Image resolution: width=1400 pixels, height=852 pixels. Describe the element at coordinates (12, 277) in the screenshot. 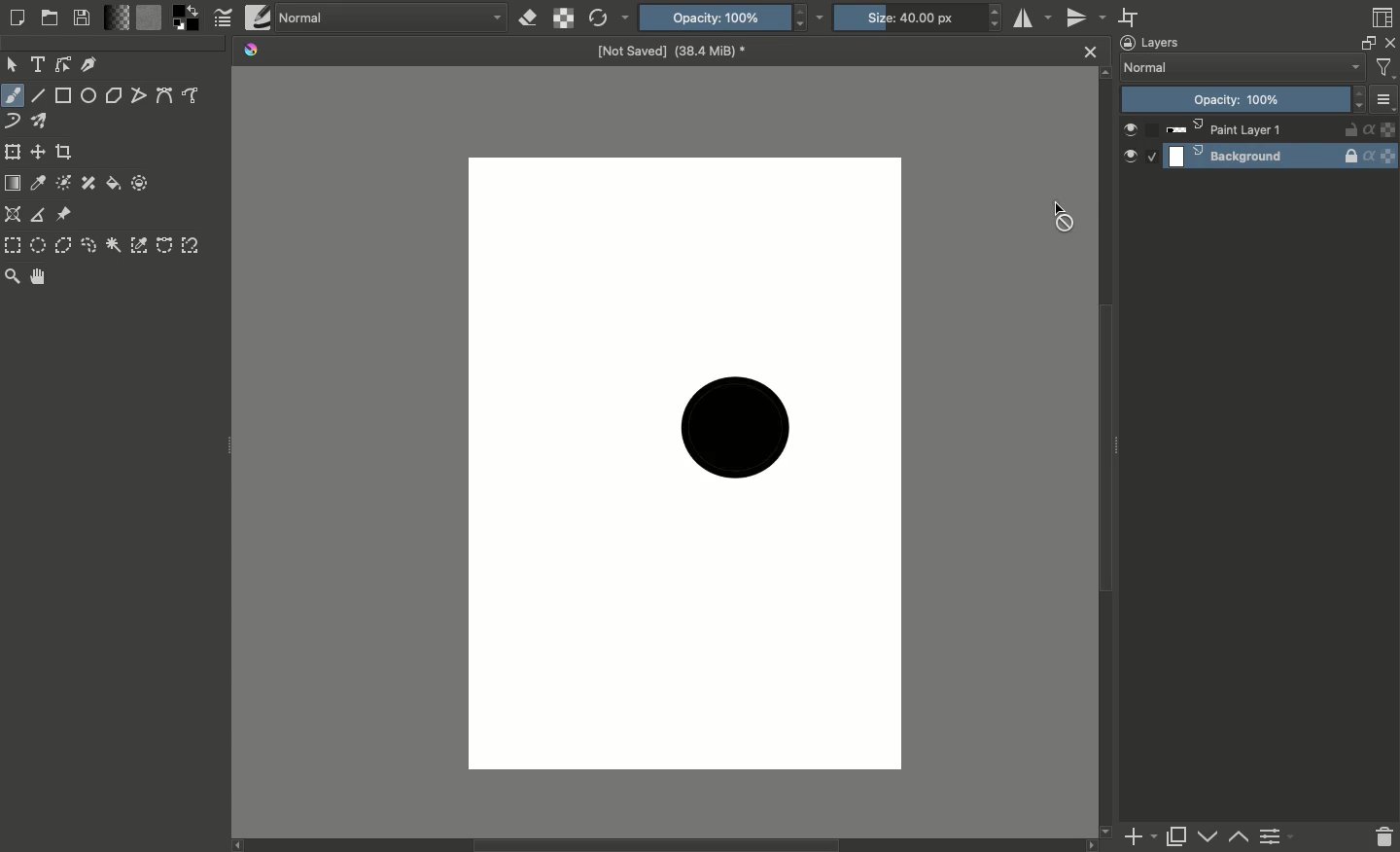

I see `Zoom` at that location.